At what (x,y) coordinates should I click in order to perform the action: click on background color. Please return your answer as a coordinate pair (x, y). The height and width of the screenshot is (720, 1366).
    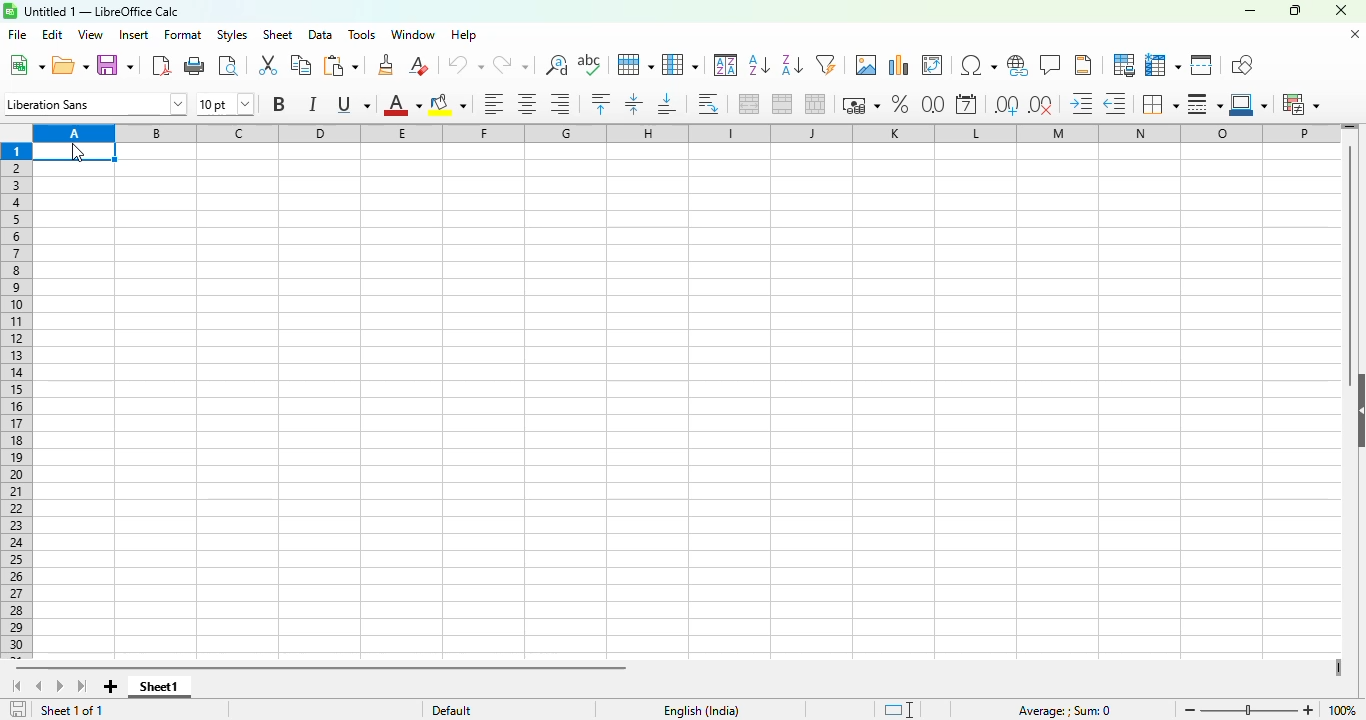
    Looking at the image, I should click on (447, 105).